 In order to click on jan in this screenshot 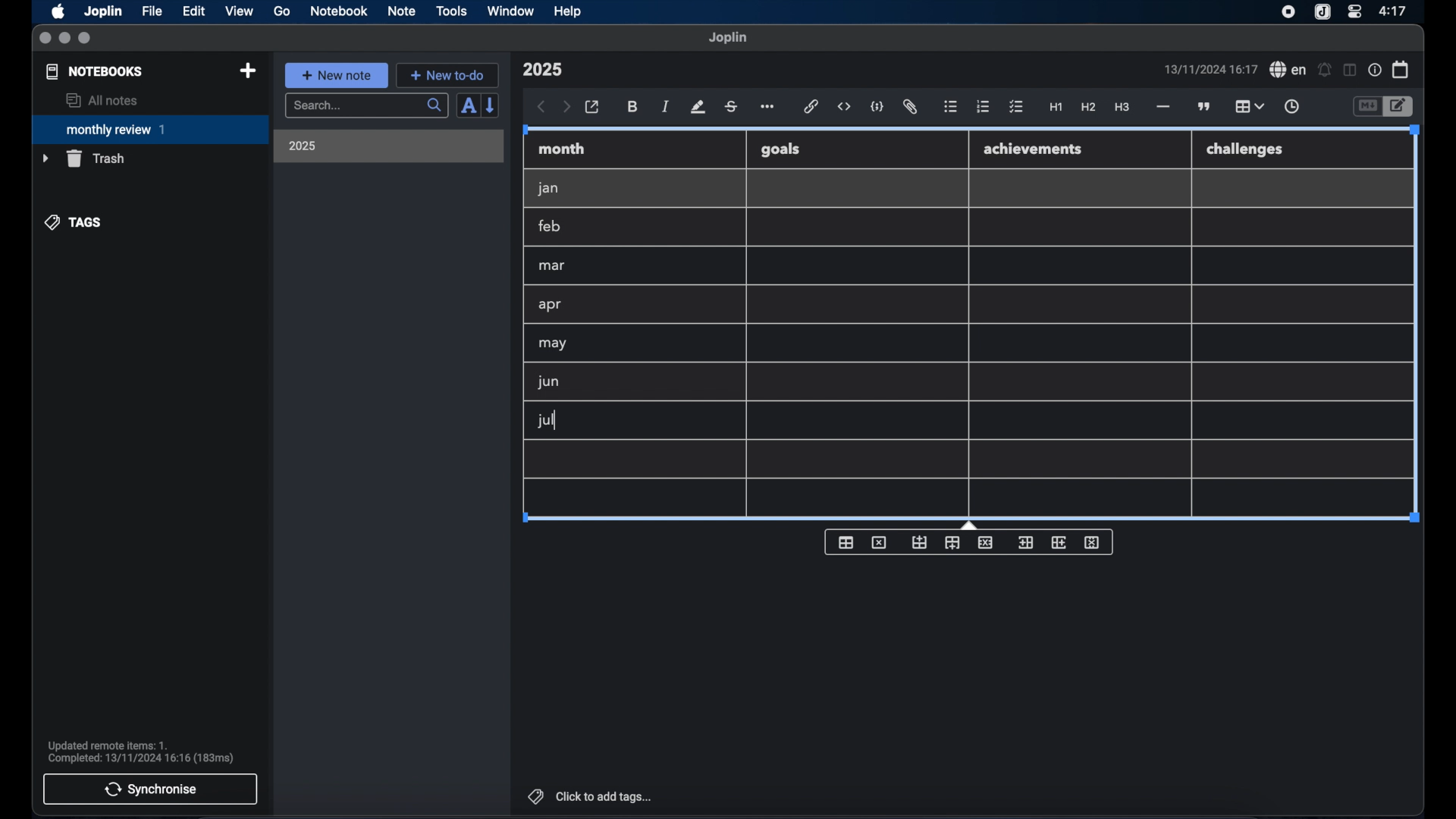, I will do `click(548, 189)`.